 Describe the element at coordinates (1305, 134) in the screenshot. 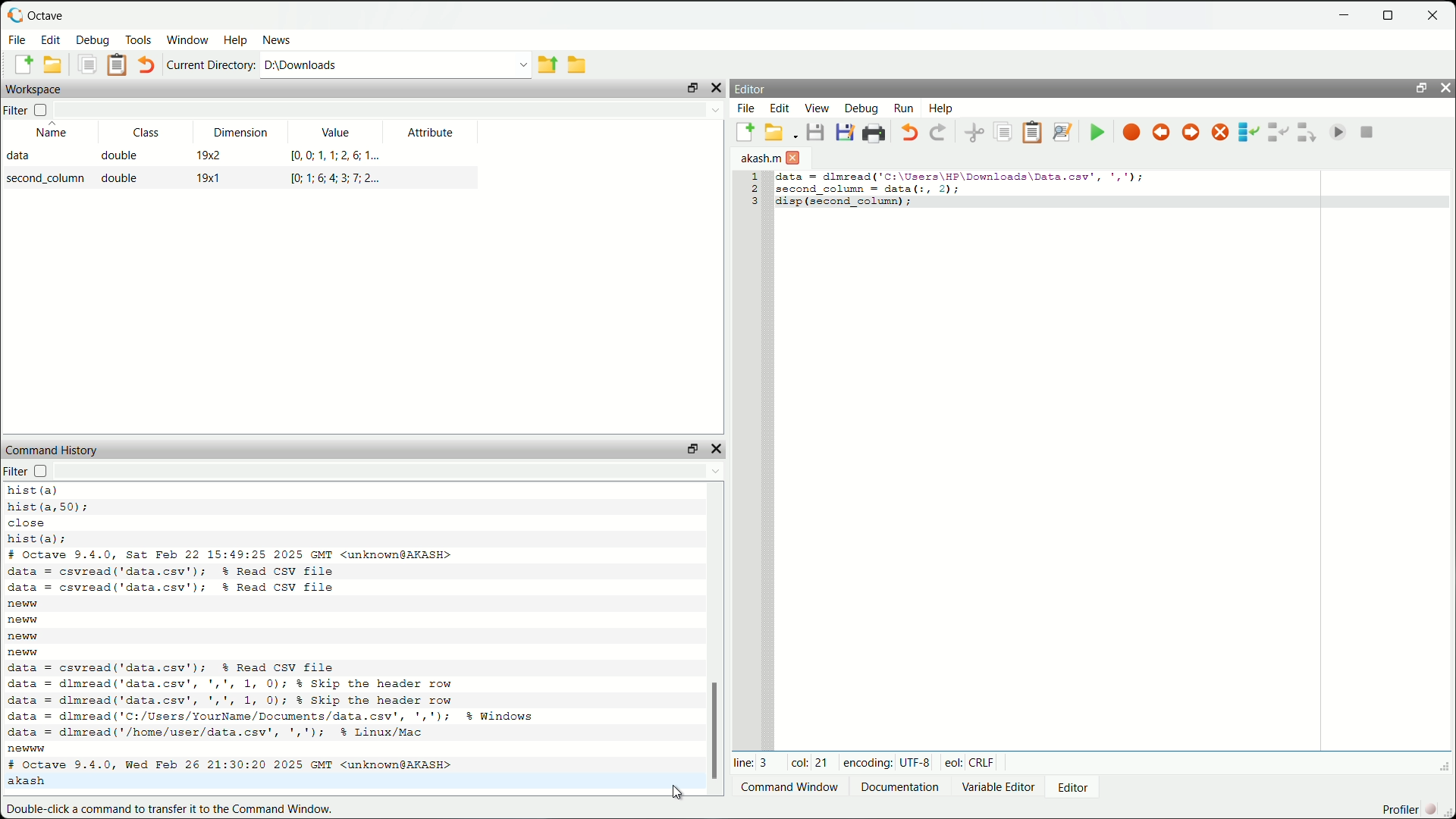

I see `step out` at that location.